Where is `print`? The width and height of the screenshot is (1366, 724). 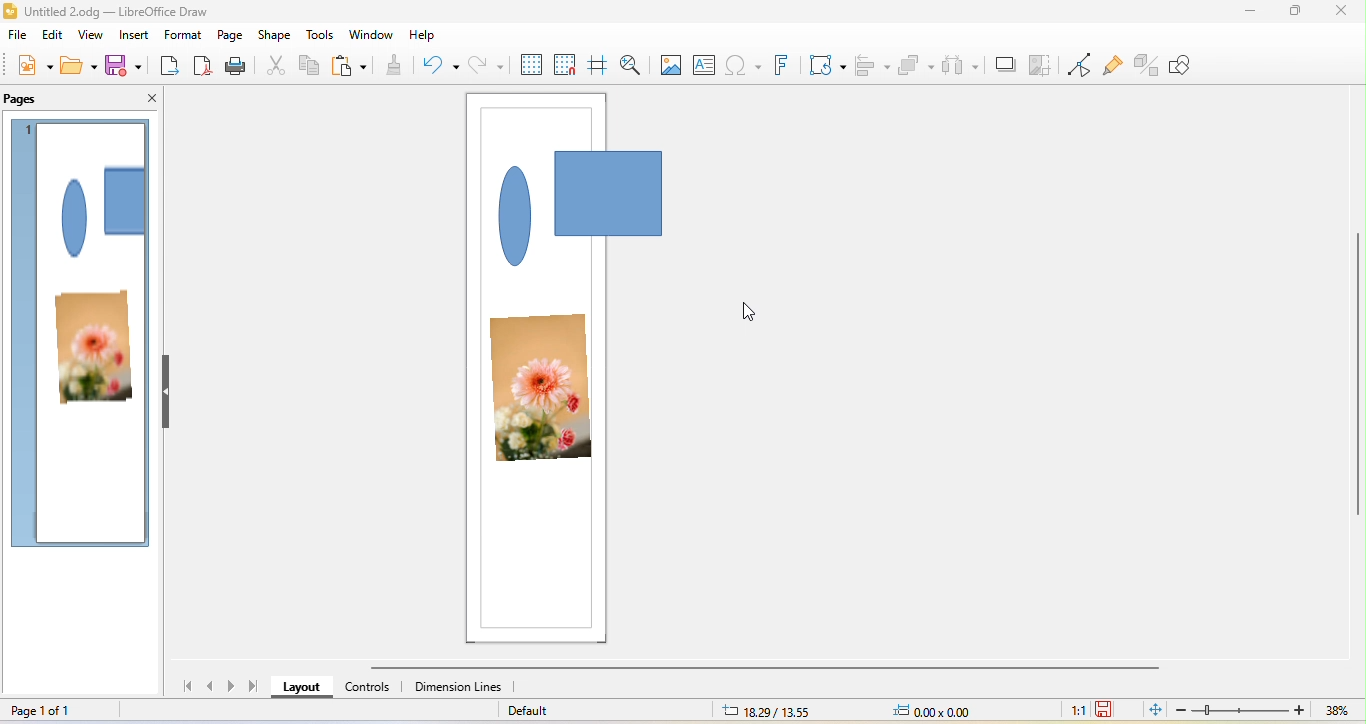
print is located at coordinates (240, 66).